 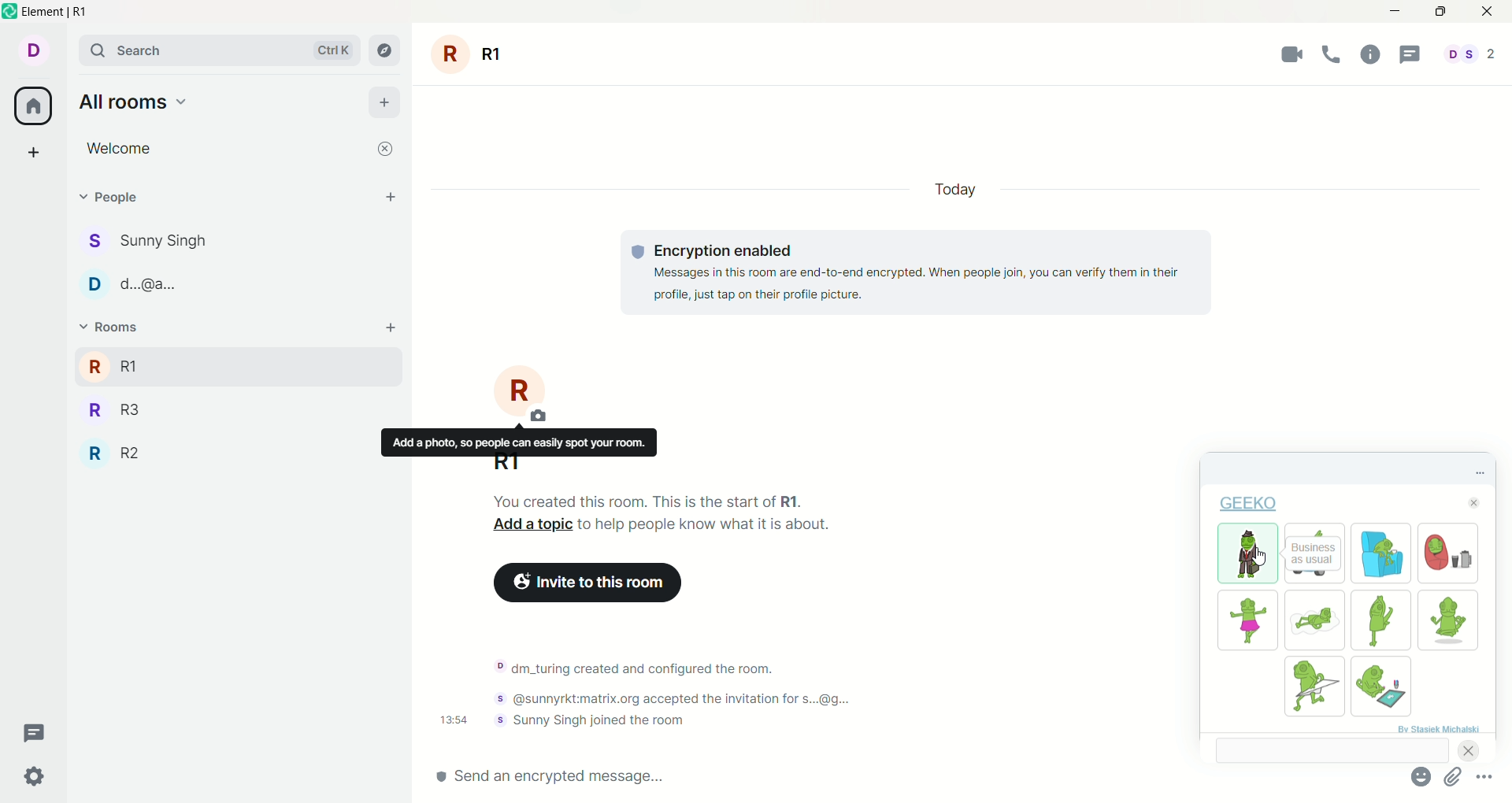 What do you see at coordinates (1249, 503) in the screenshot?
I see `GEEKO` at bounding box center [1249, 503].